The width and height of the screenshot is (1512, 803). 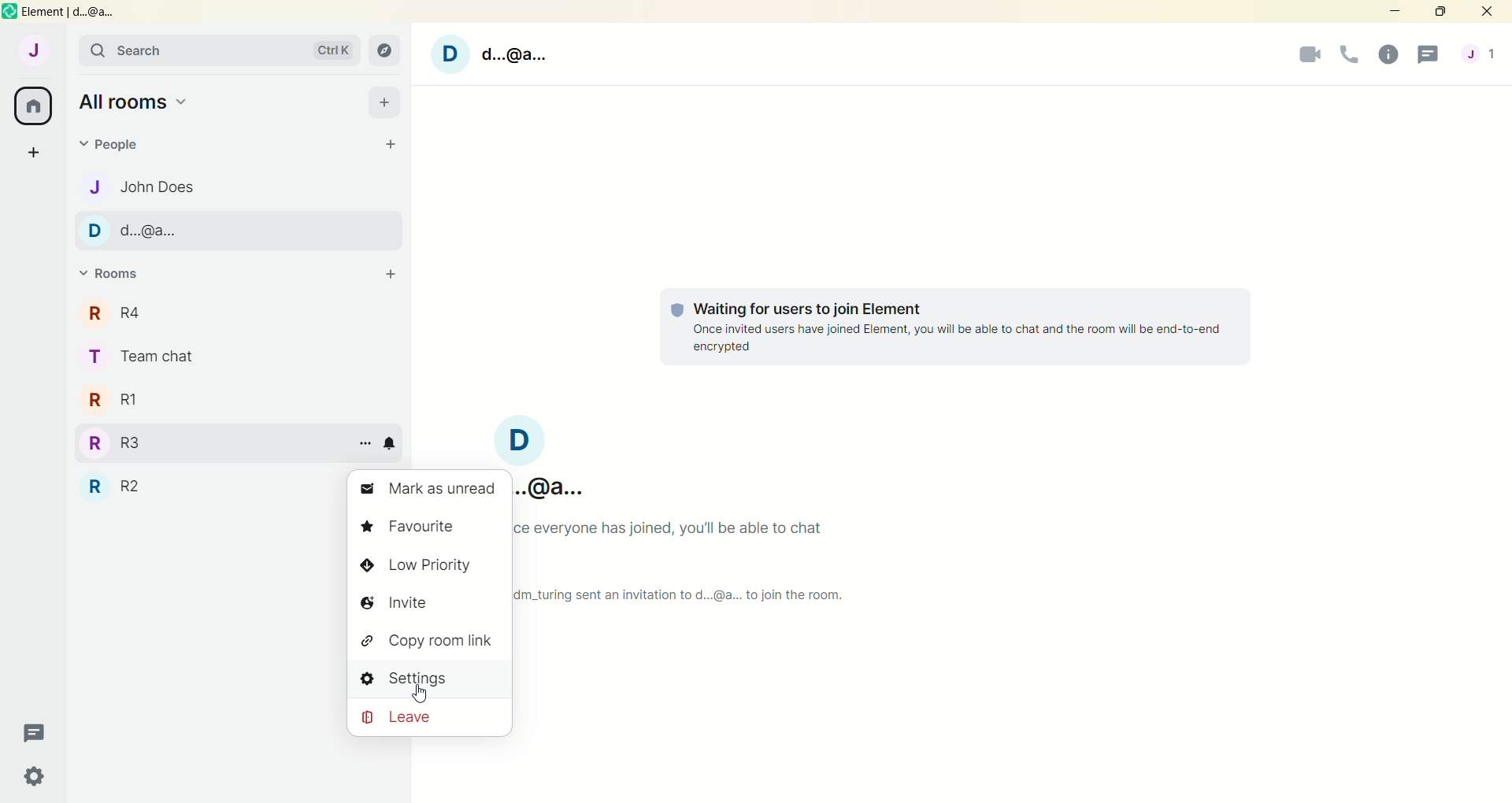 What do you see at coordinates (31, 151) in the screenshot?
I see `create a space` at bounding box center [31, 151].